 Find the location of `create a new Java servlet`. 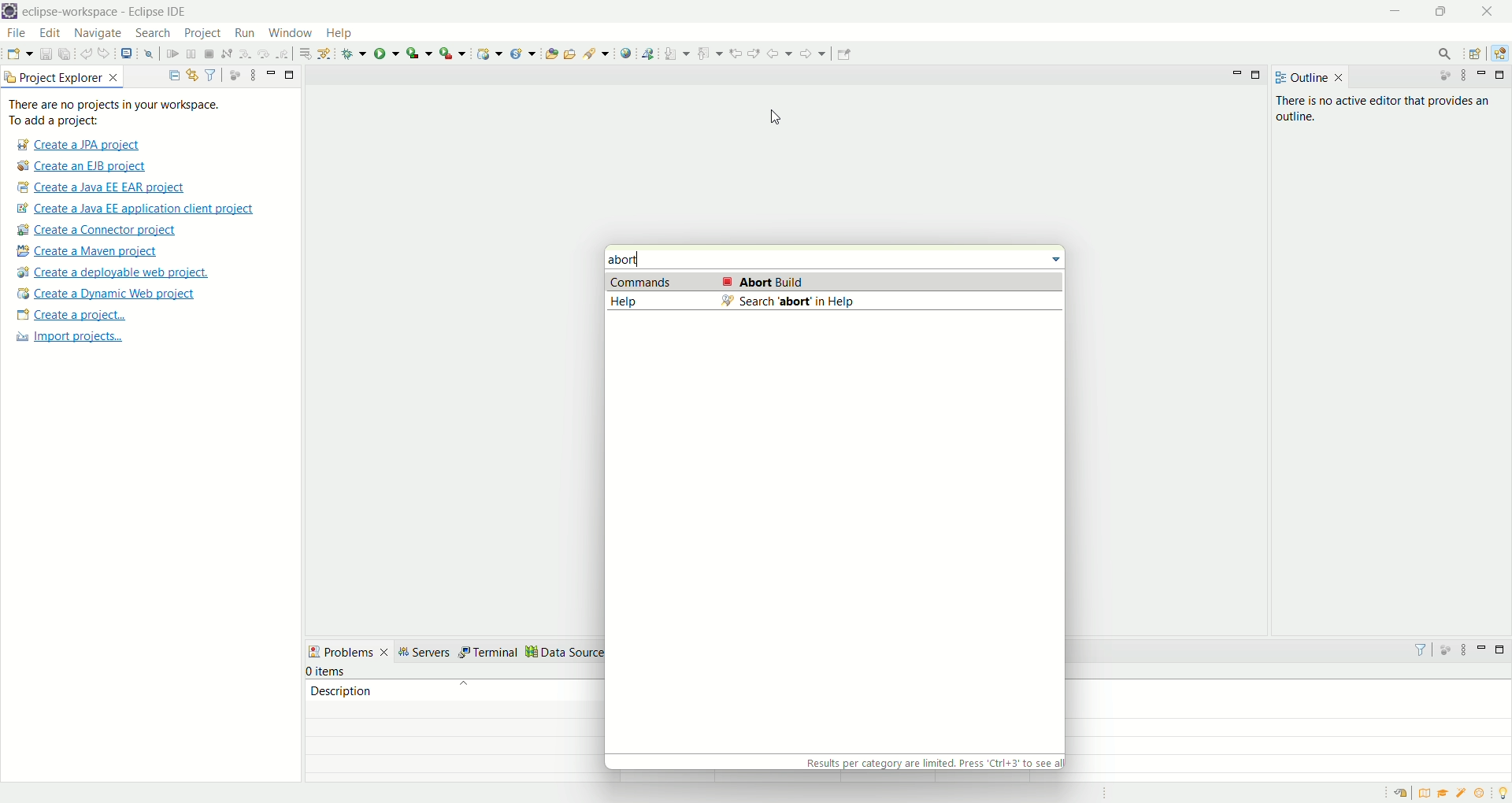

create a new Java servlet is located at coordinates (523, 55).